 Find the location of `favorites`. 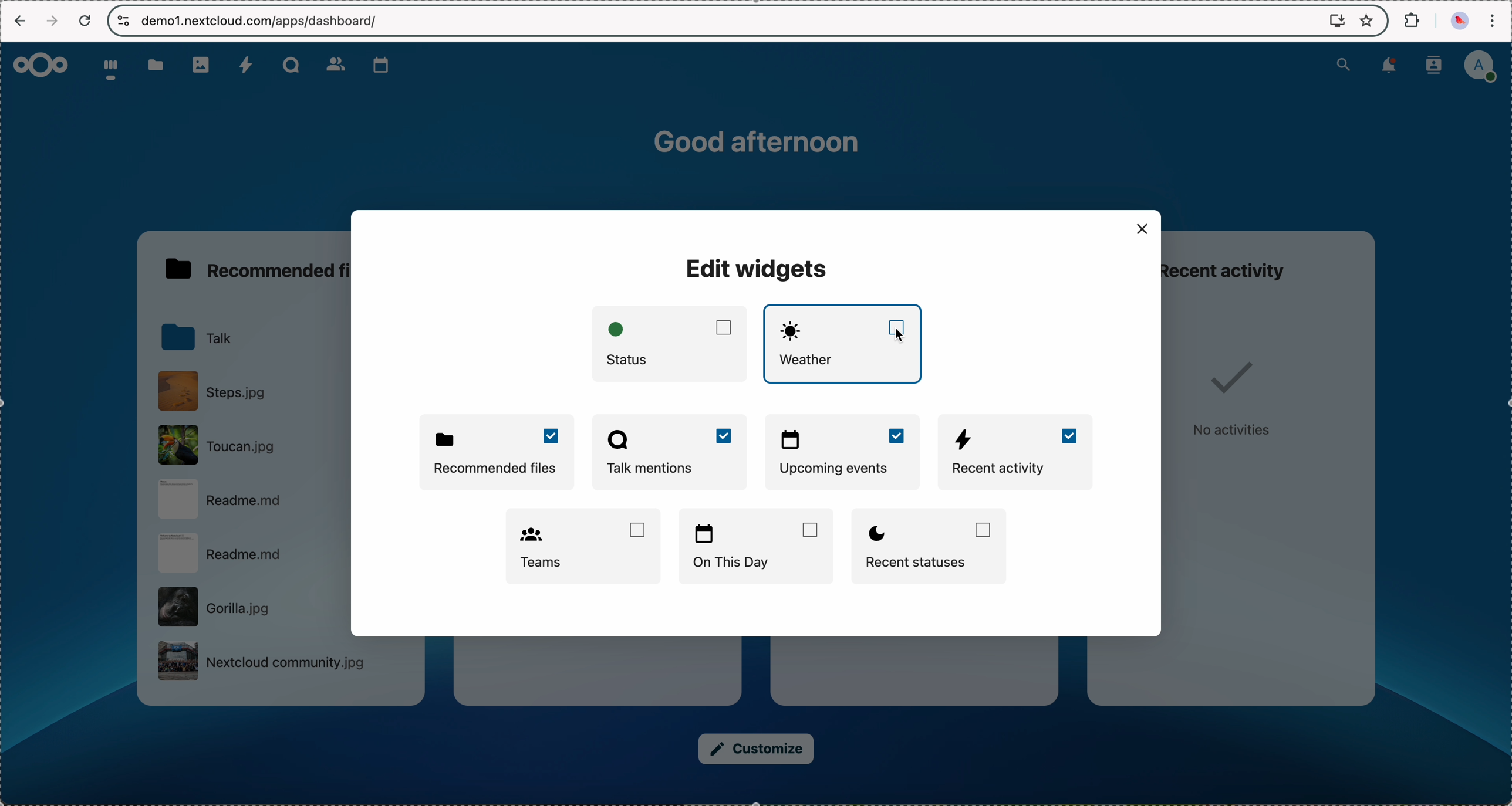

favorites is located at coordinates (1369, 22).